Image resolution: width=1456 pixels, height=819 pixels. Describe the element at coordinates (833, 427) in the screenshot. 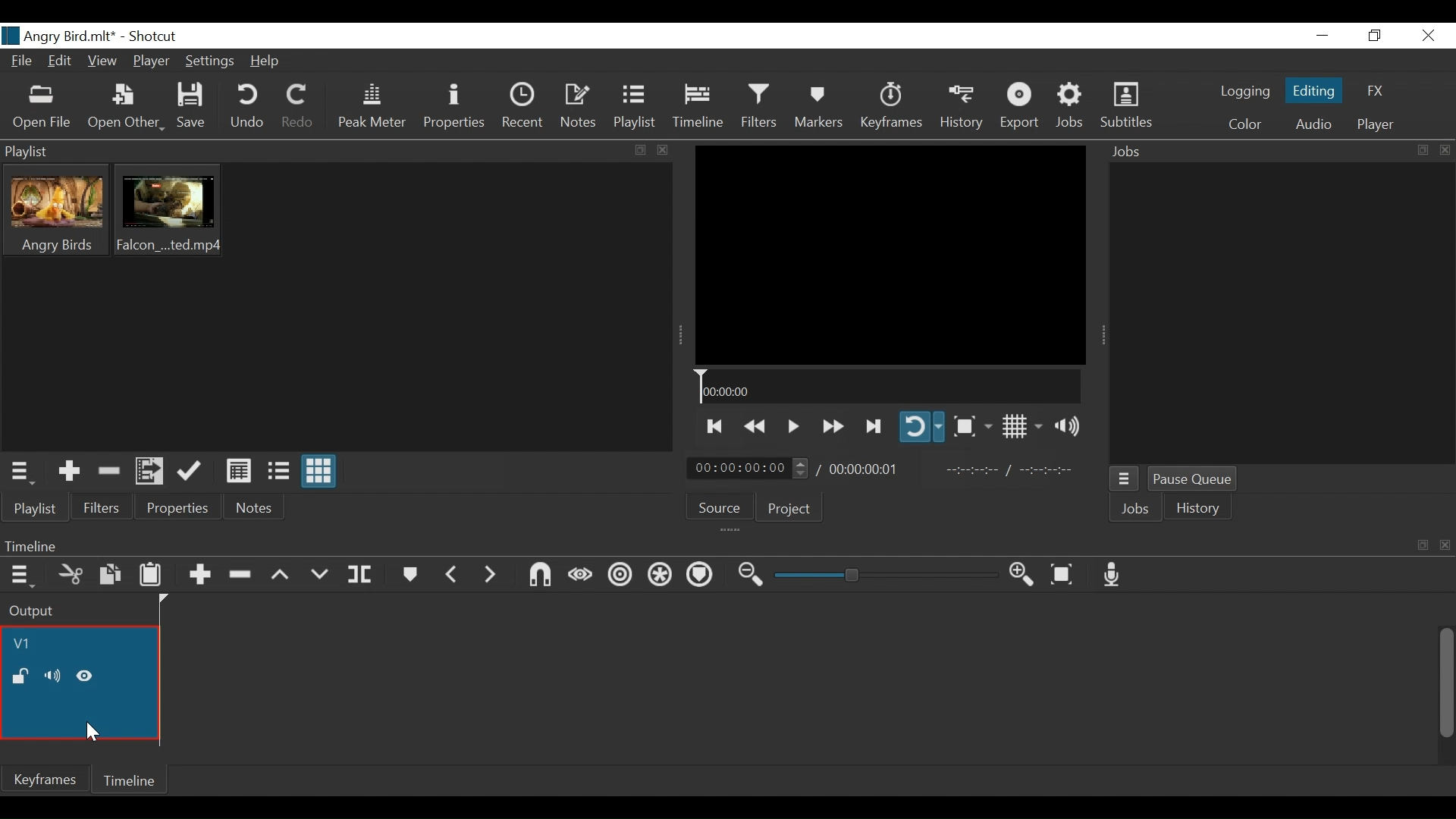

I see `Play forward quickly` at that location.